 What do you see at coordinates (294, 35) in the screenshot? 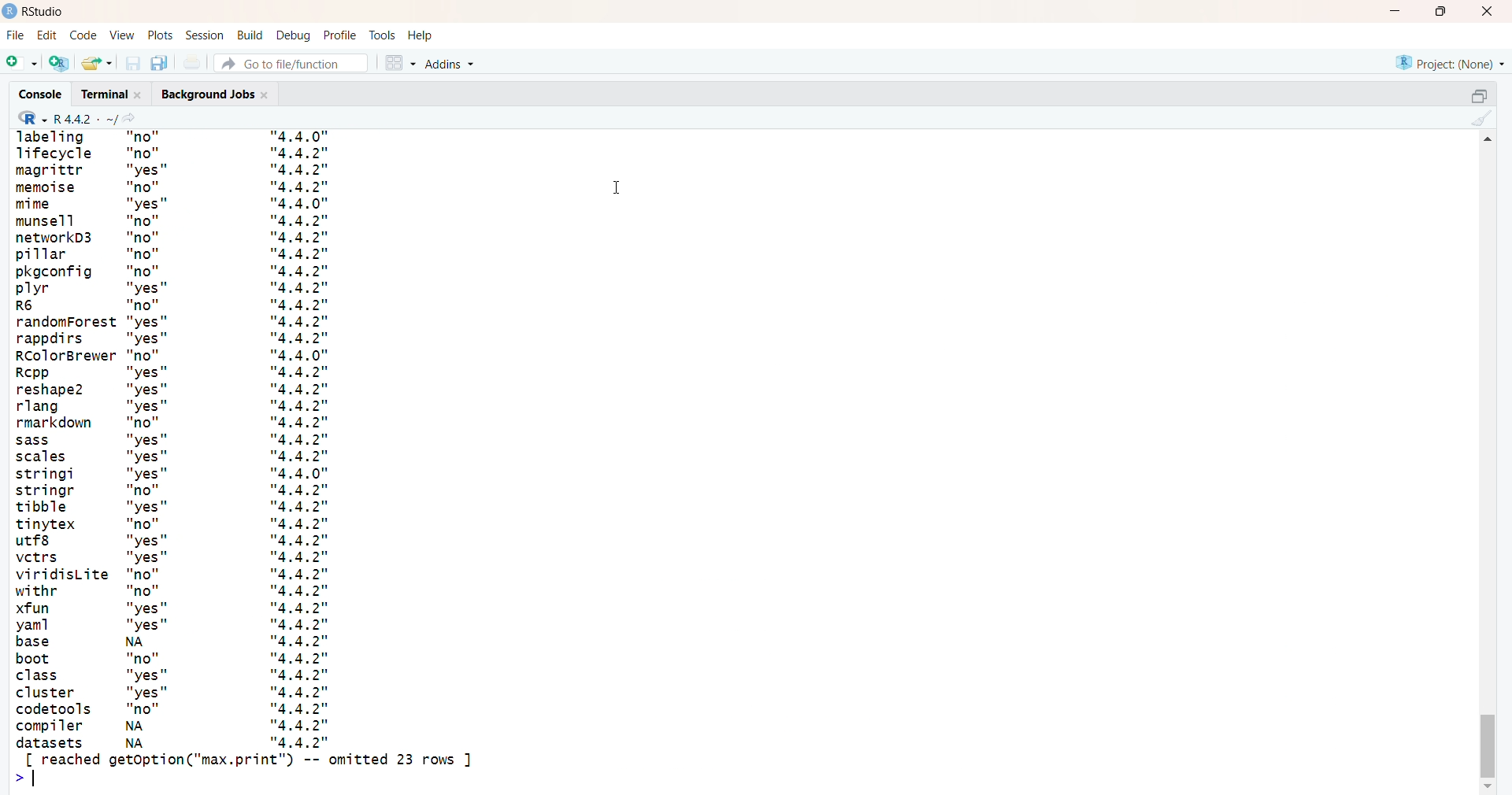
I see `debug` at bounding box center [294, 35].